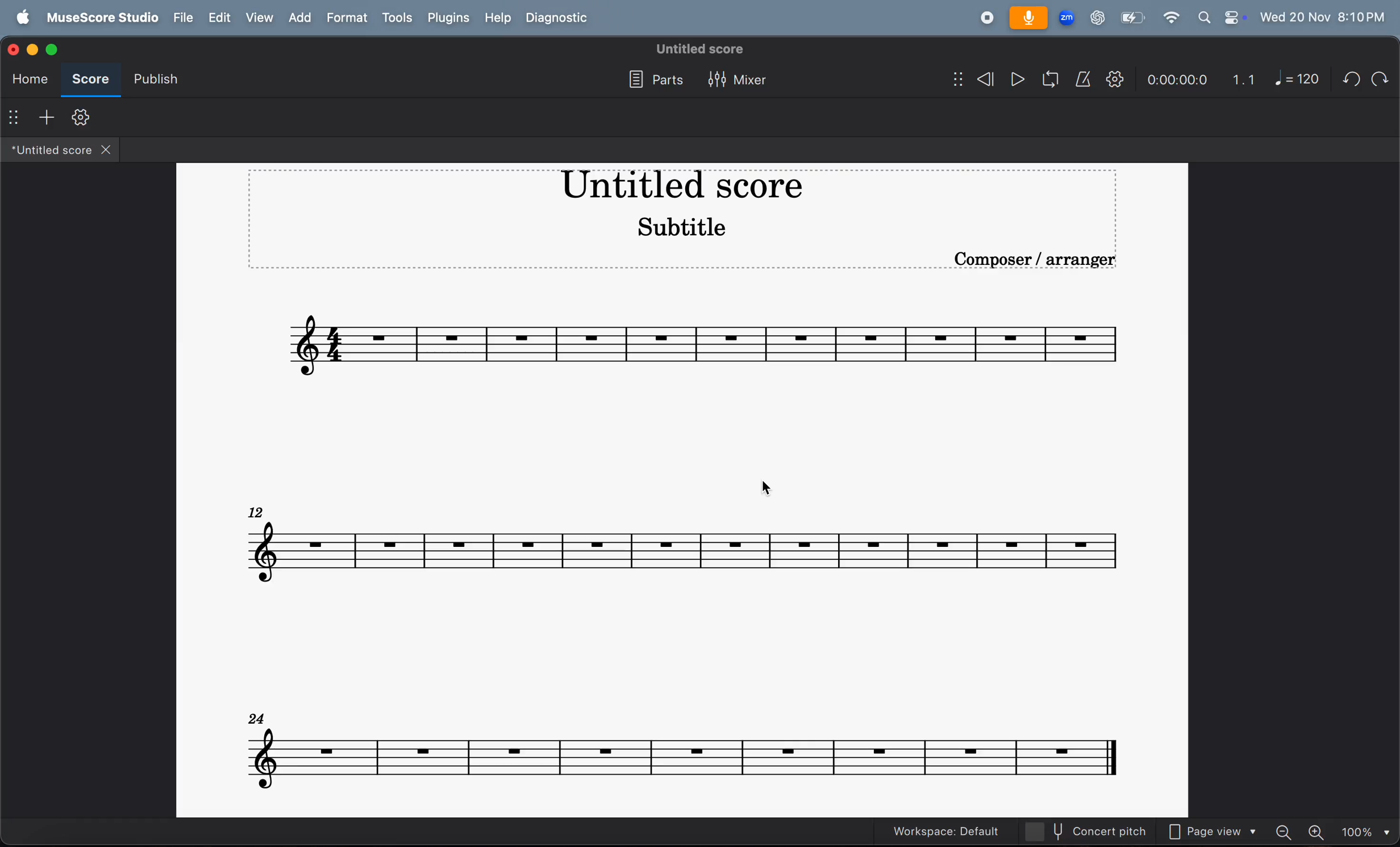 This screenshot has width=1400, height=847. What do you see at coordinates (1318, 831) in the screenshot?
I see `zoom in` at bounding box center [1318, 831].